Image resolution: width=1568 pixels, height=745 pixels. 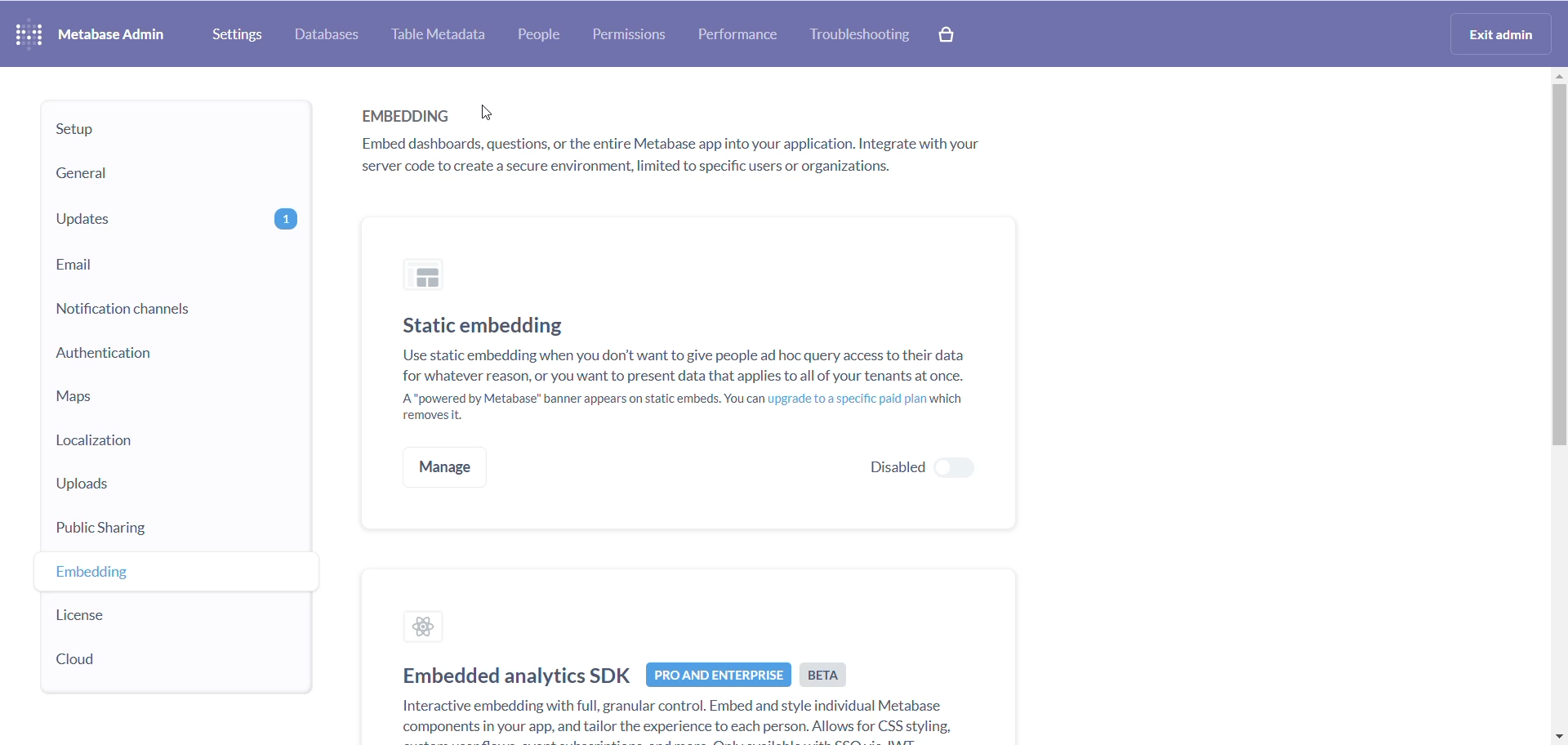 I want to click on cart, so click(x=950, y=34).